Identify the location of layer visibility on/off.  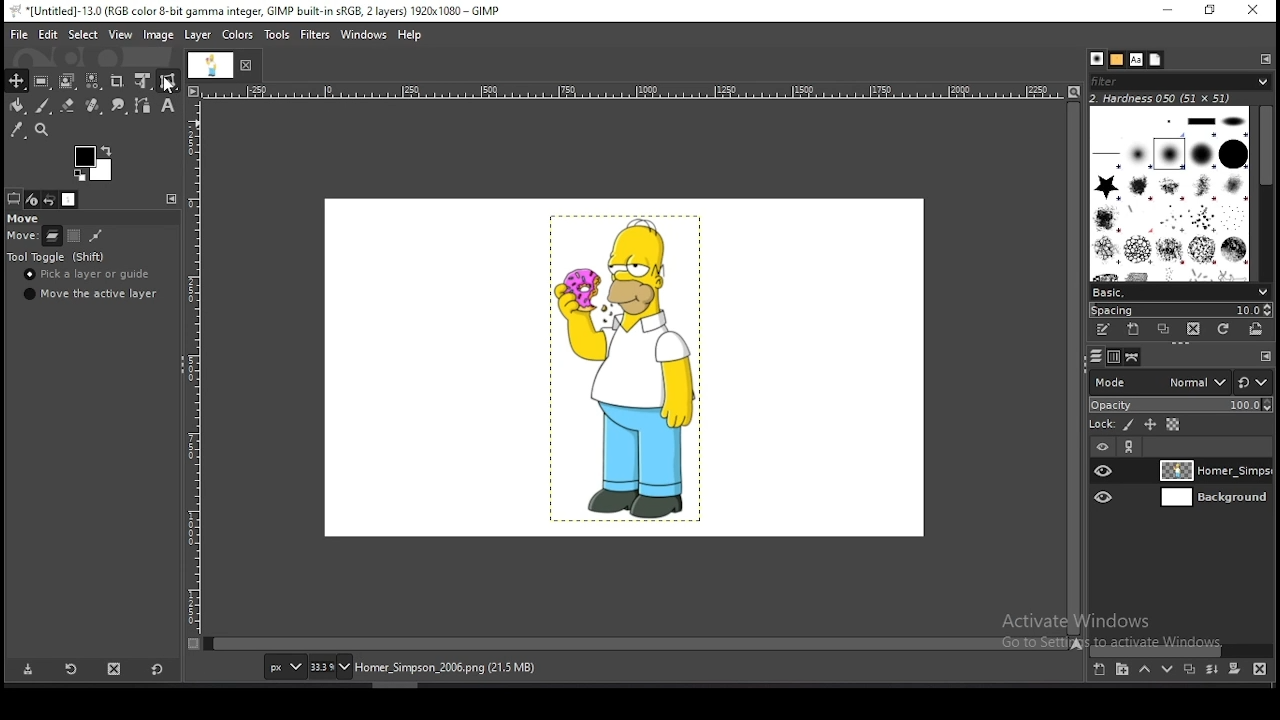
(1105, 497).